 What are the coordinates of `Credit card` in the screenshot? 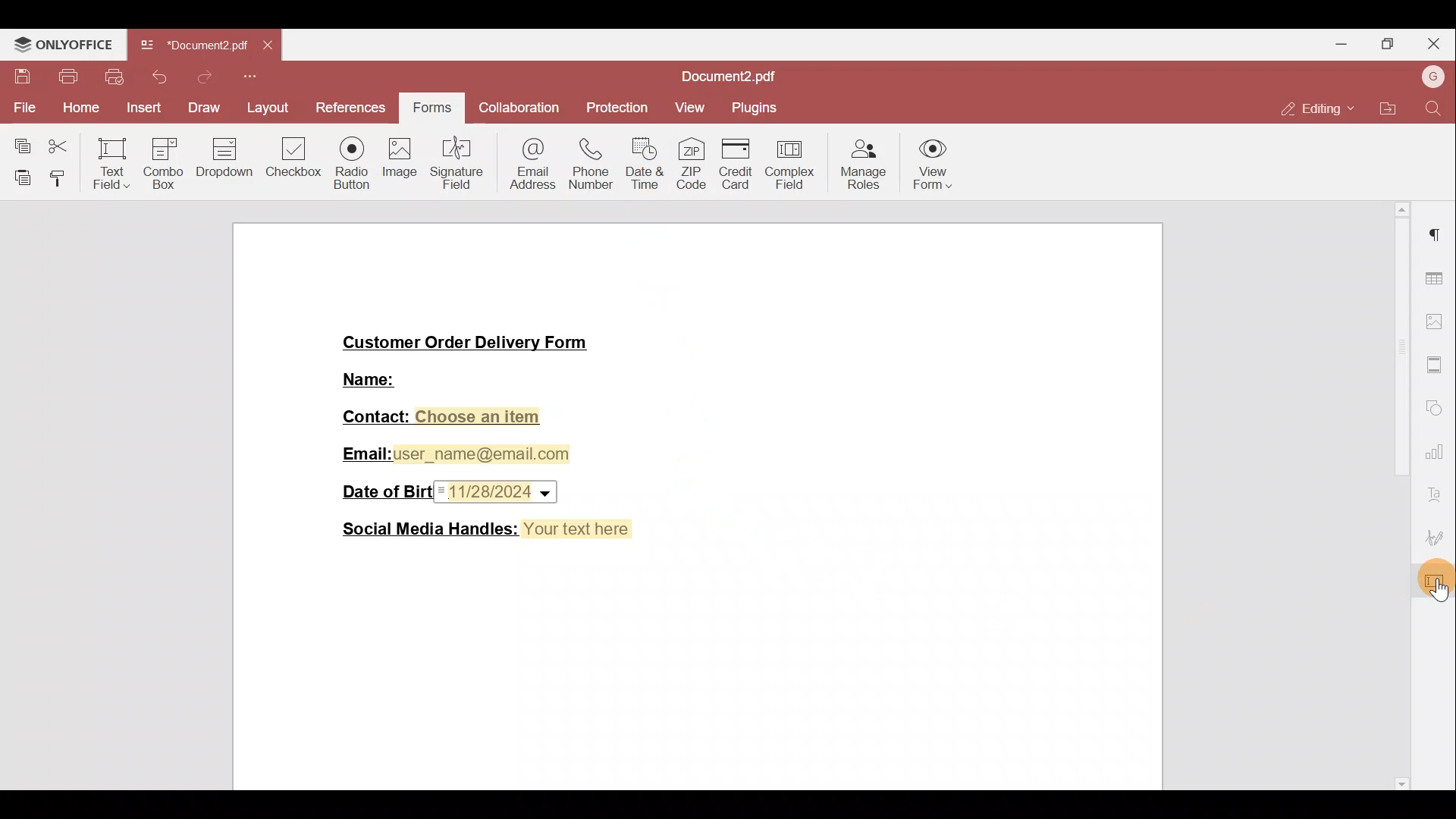 It's located at (742, 165).